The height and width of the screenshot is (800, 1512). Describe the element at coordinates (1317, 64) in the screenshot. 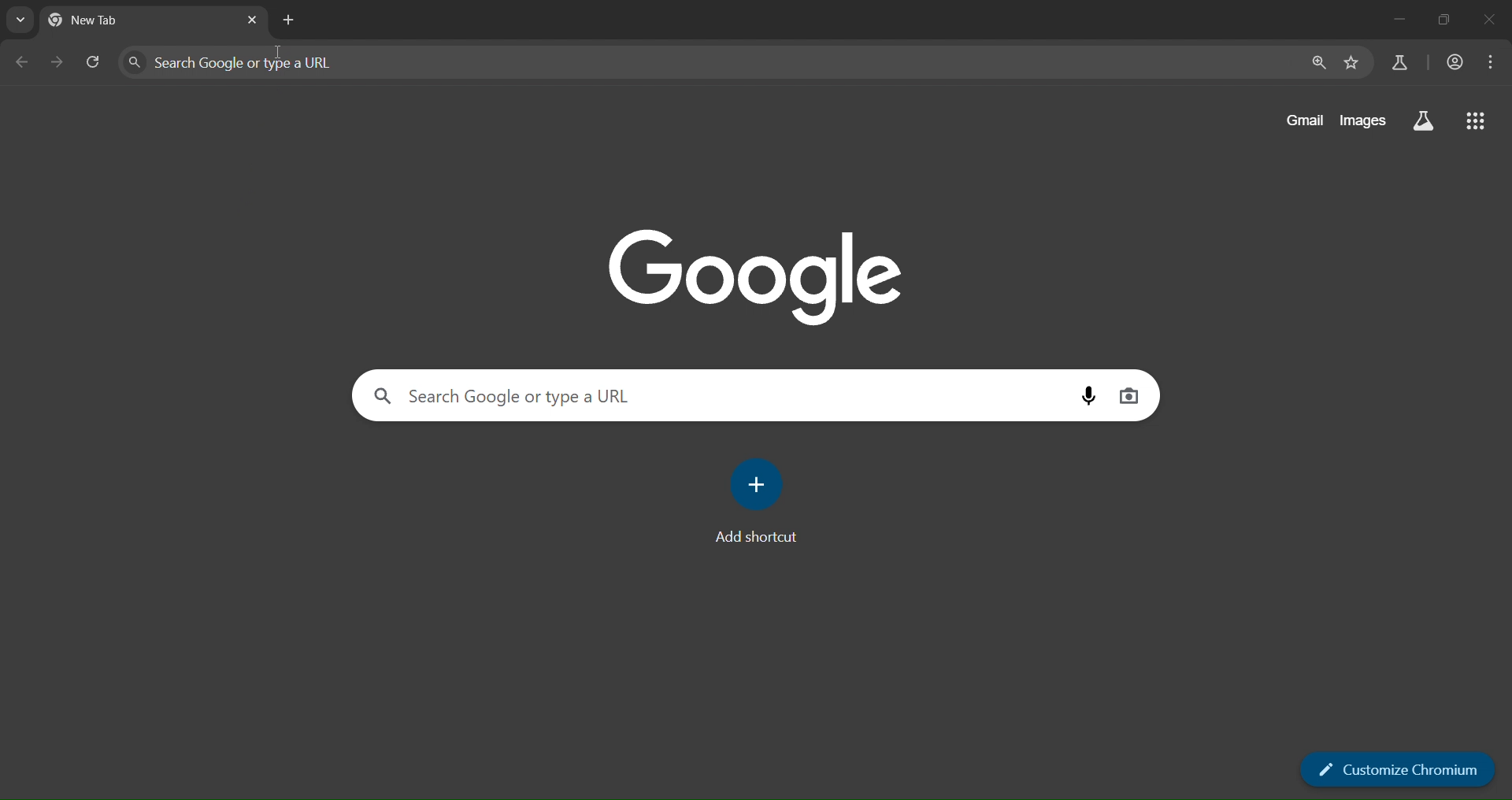

I see `zoom` at that location.